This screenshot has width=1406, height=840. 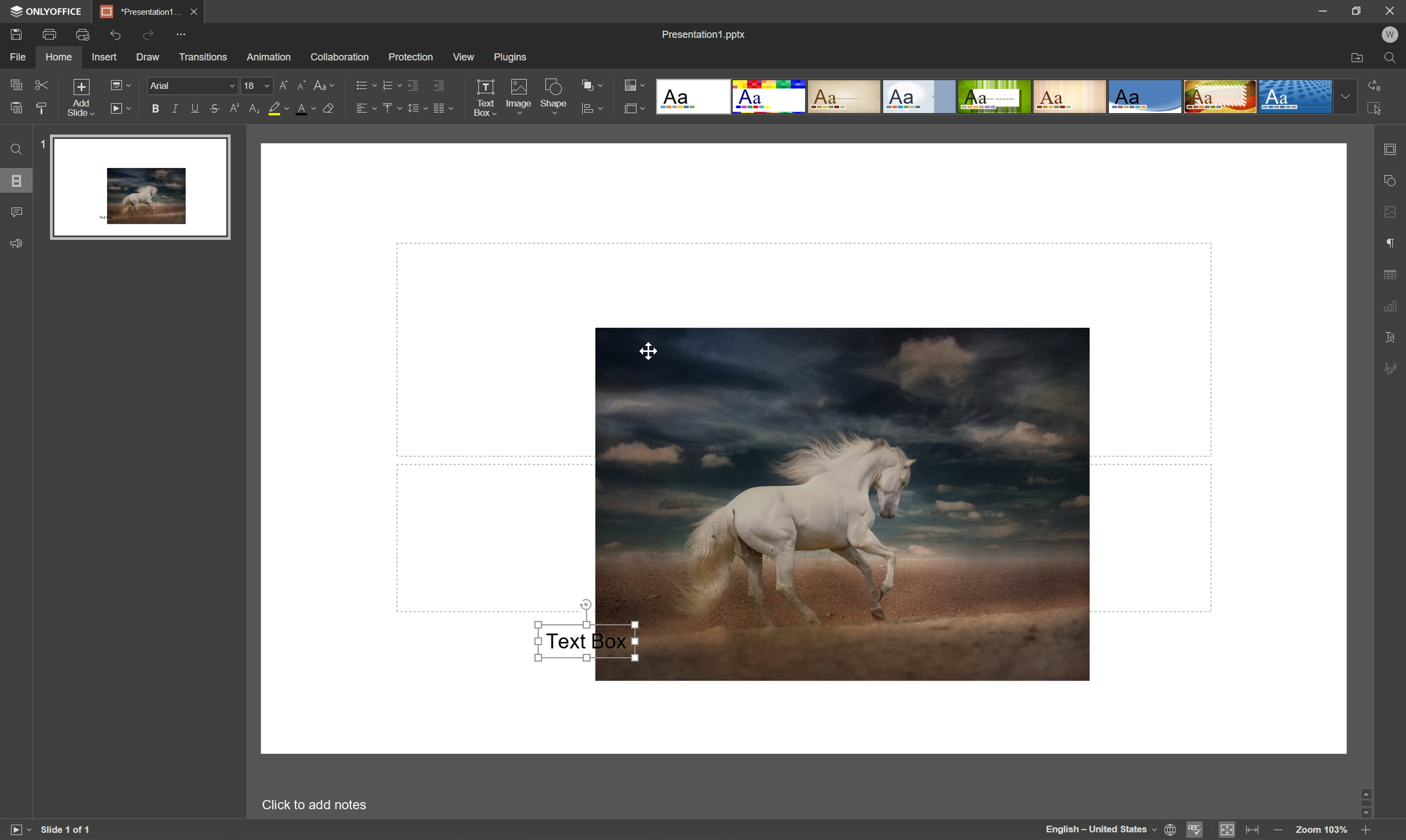 I want to click on Select slide size, so click(x=635, y=109).